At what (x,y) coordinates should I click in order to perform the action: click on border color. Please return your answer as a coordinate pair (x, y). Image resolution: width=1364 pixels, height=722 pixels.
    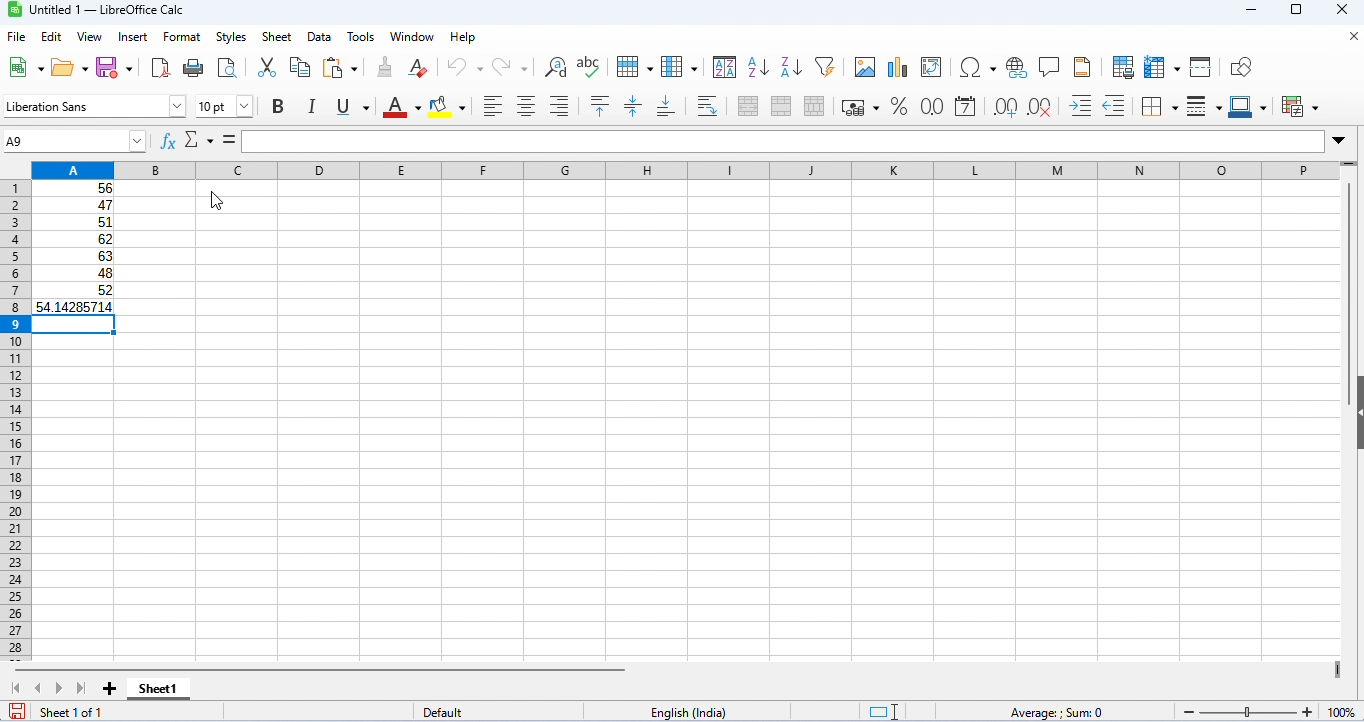
    Looking at the image, I should click on (1251, 106).